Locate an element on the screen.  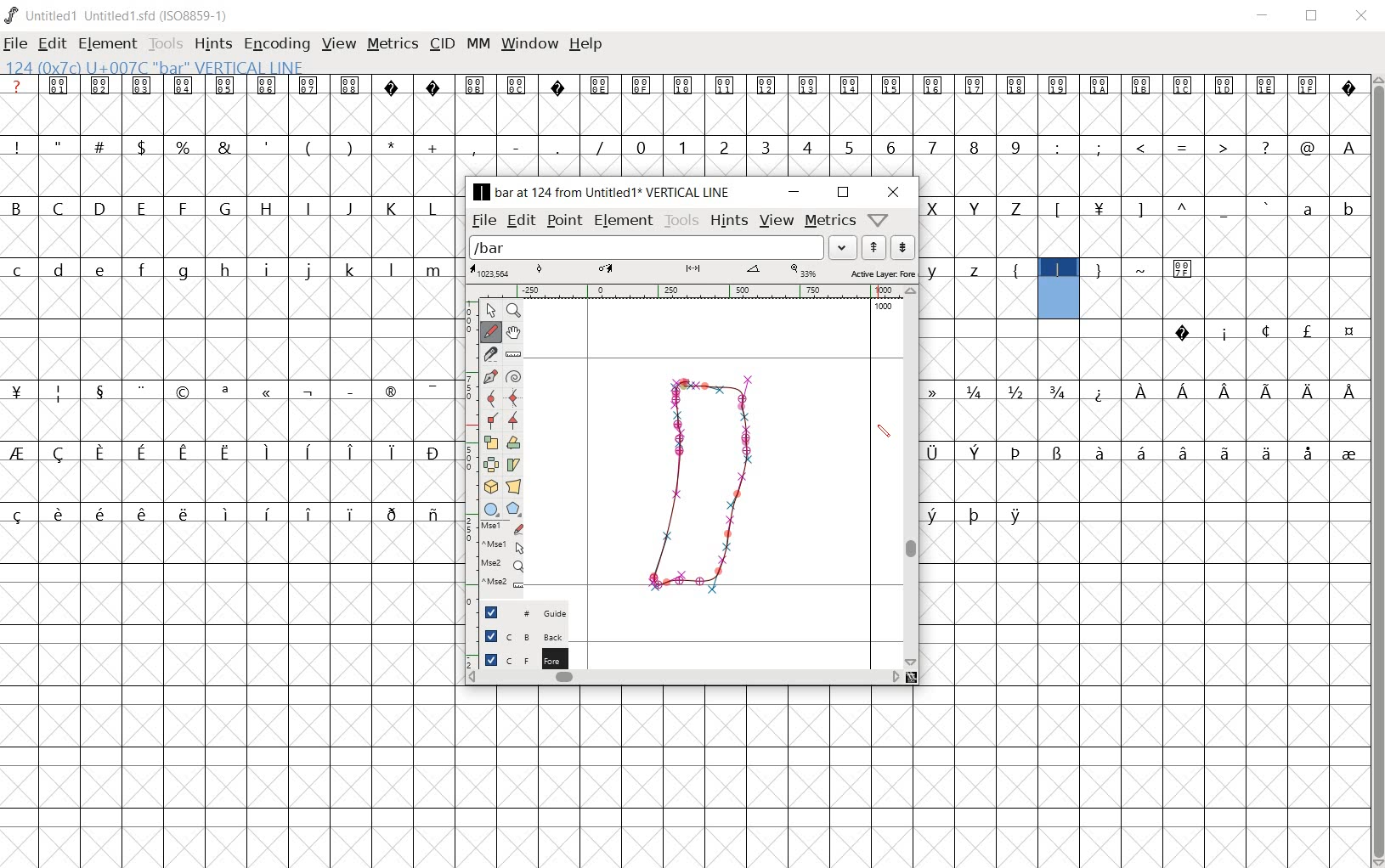
special letters is located at coordinates (229, 452).